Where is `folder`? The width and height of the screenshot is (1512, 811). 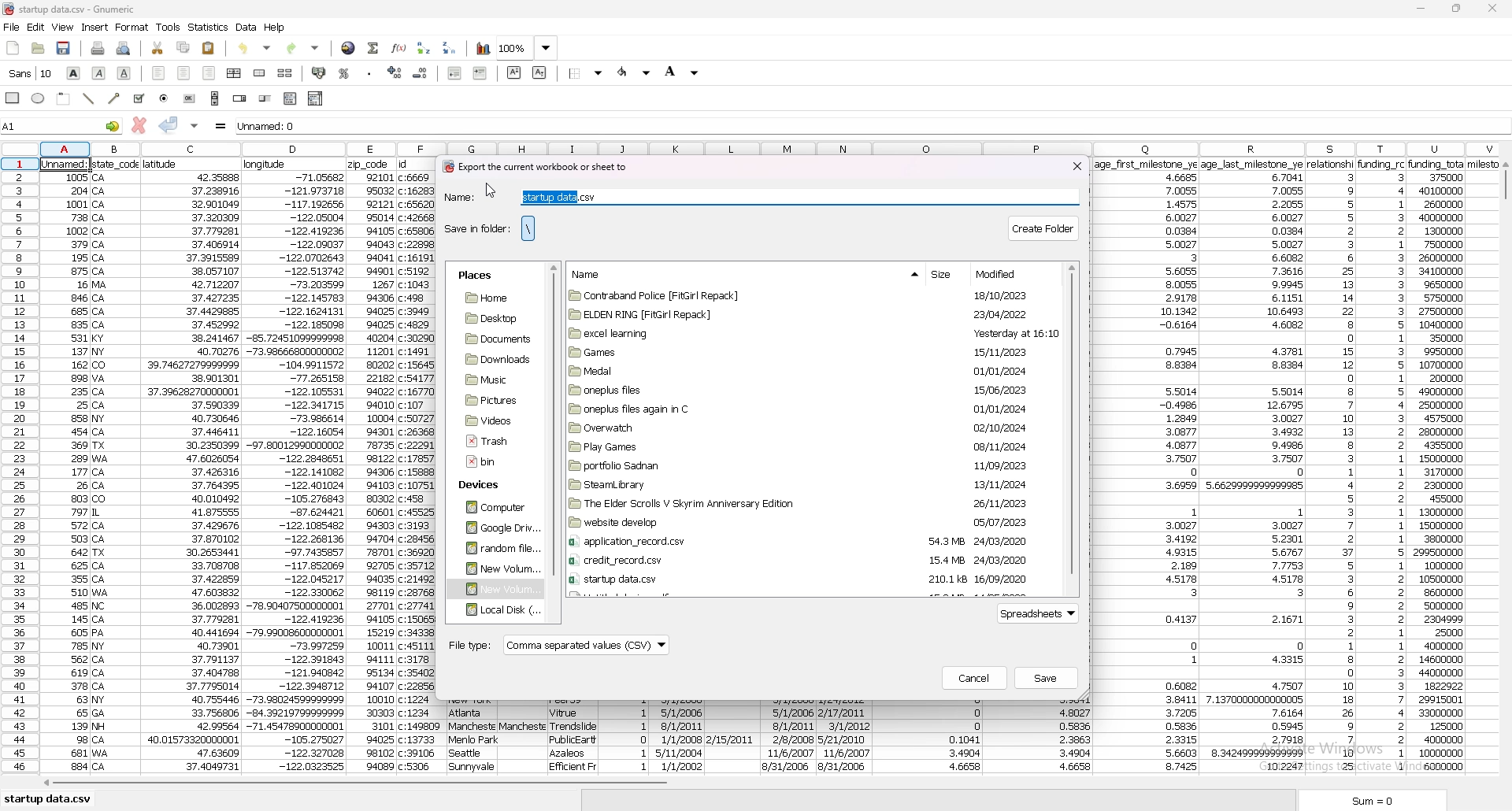 folder is located at coordinates (806, 447).